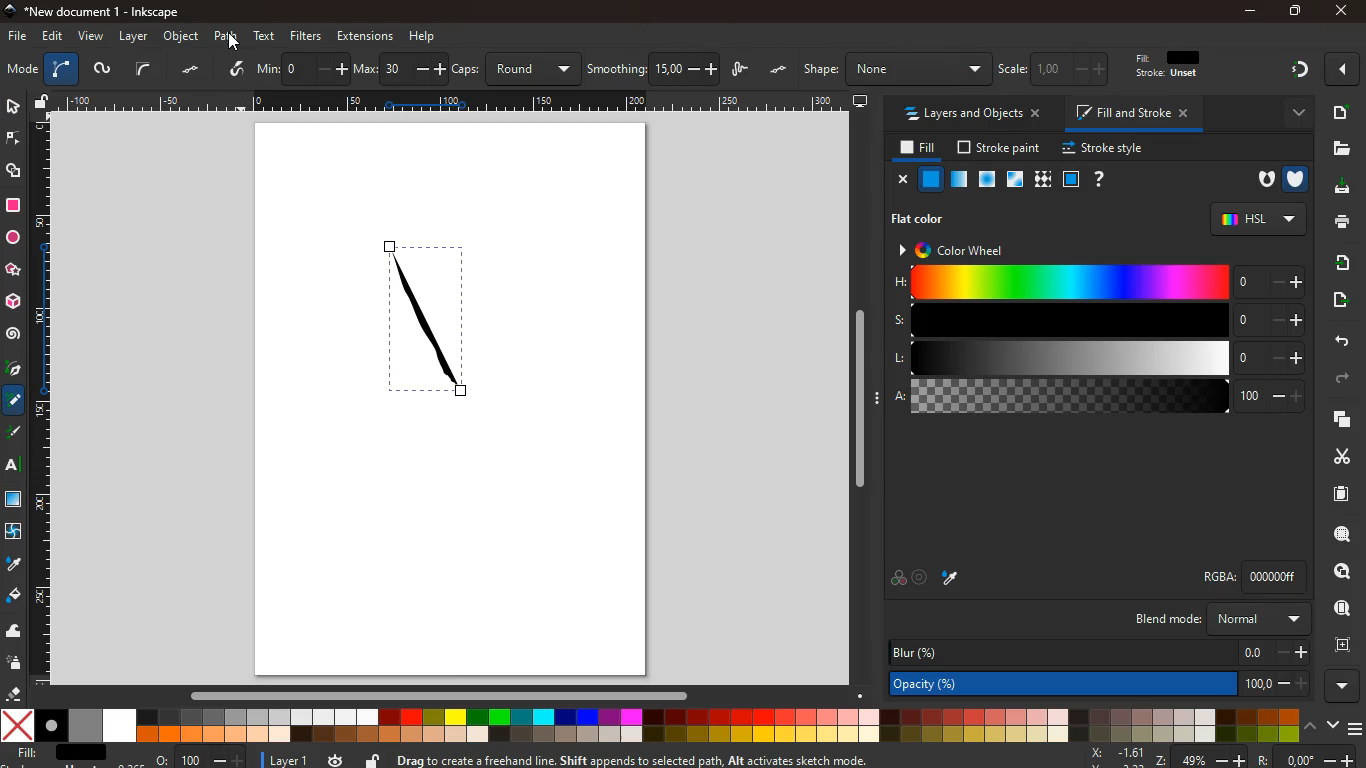  What do you see at coordinates (101, 71) in the screenshot?
I see `worm` at bounding box center [101, 71].